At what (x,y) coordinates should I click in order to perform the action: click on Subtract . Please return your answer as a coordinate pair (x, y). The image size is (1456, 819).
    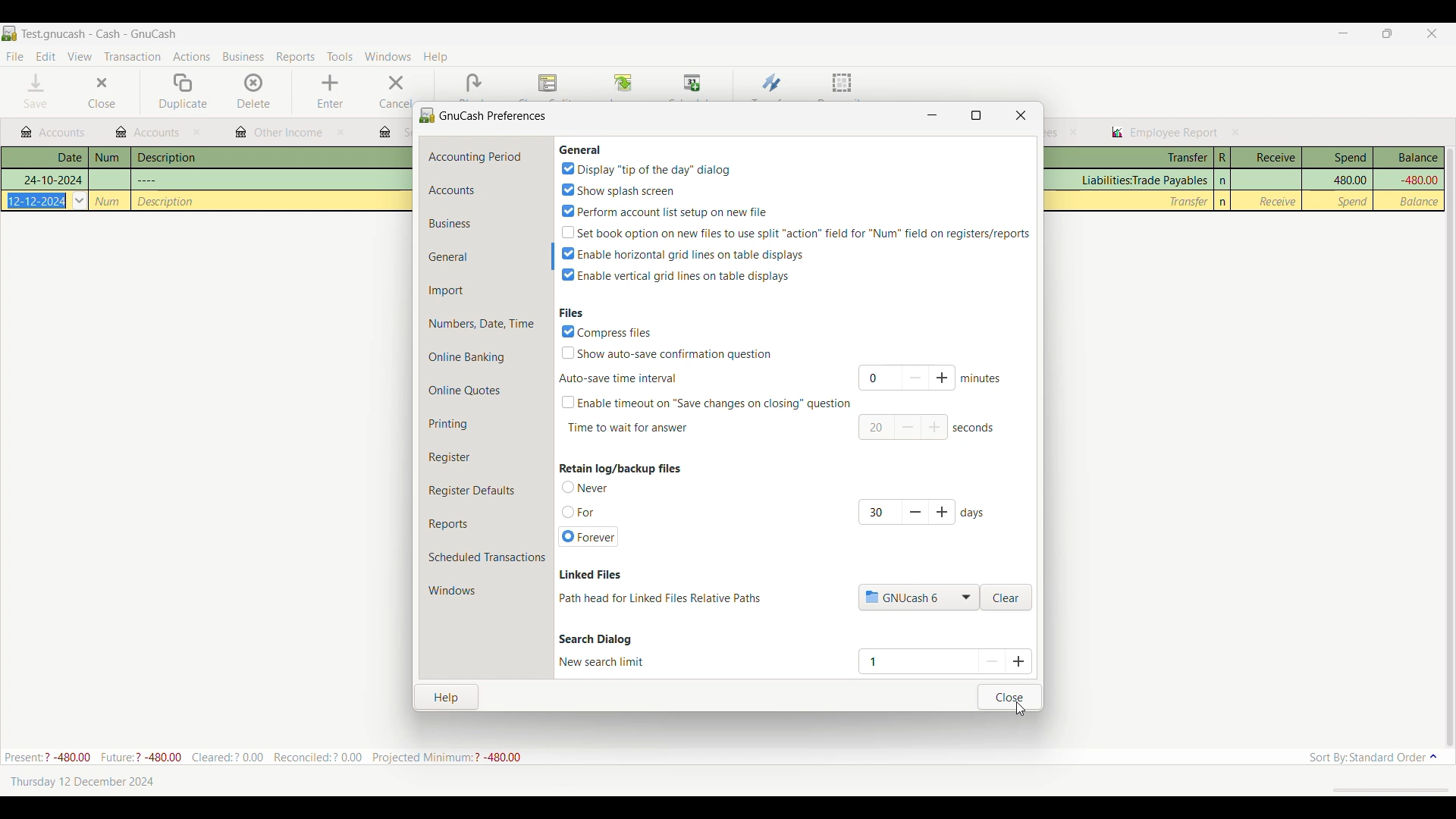
    Looking at the image, I should click on (915, 512).